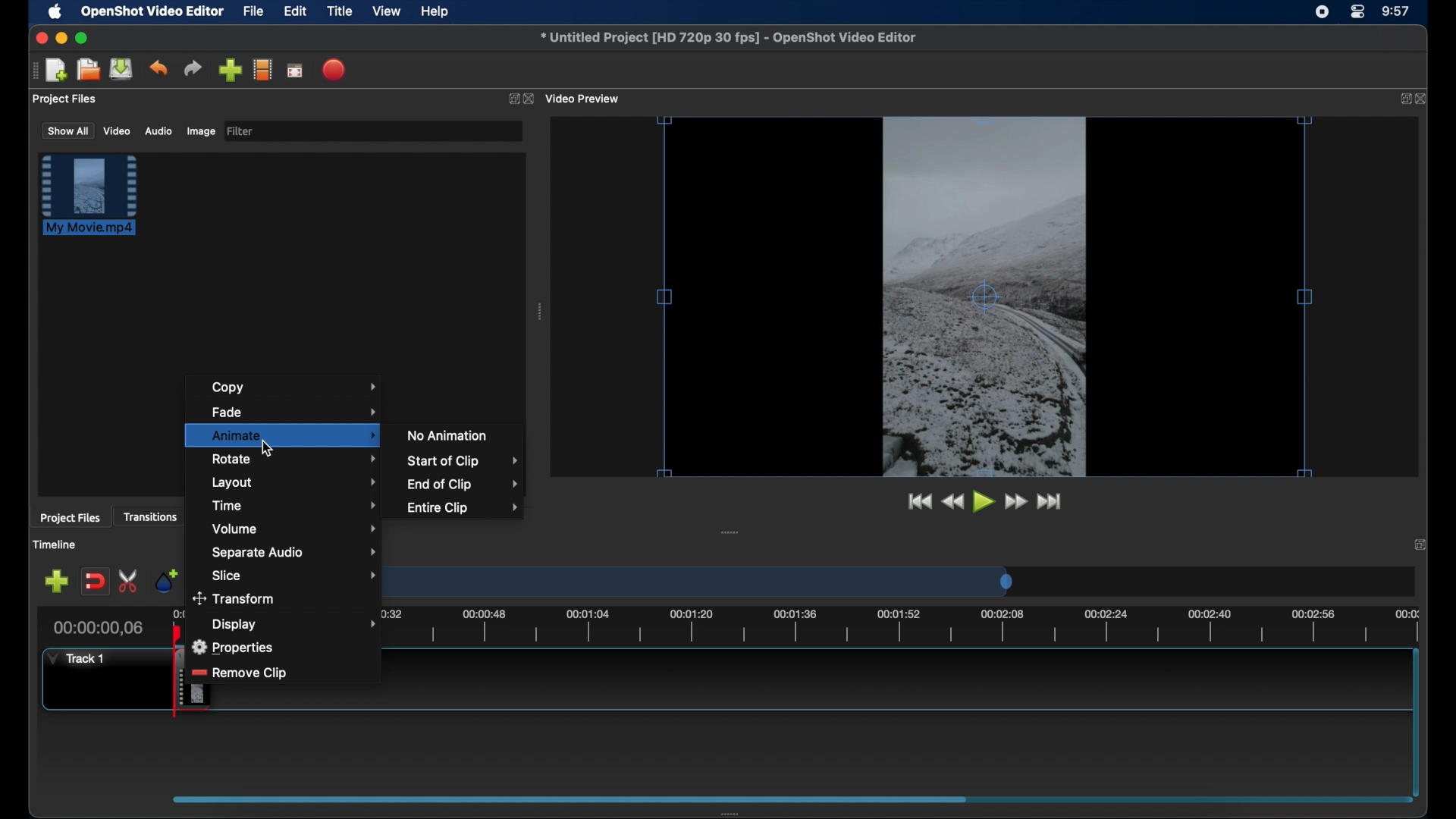  What do you see at coordinates (123, 69) in the screenshot?
I see `save files` at bounding box center [123, 69].